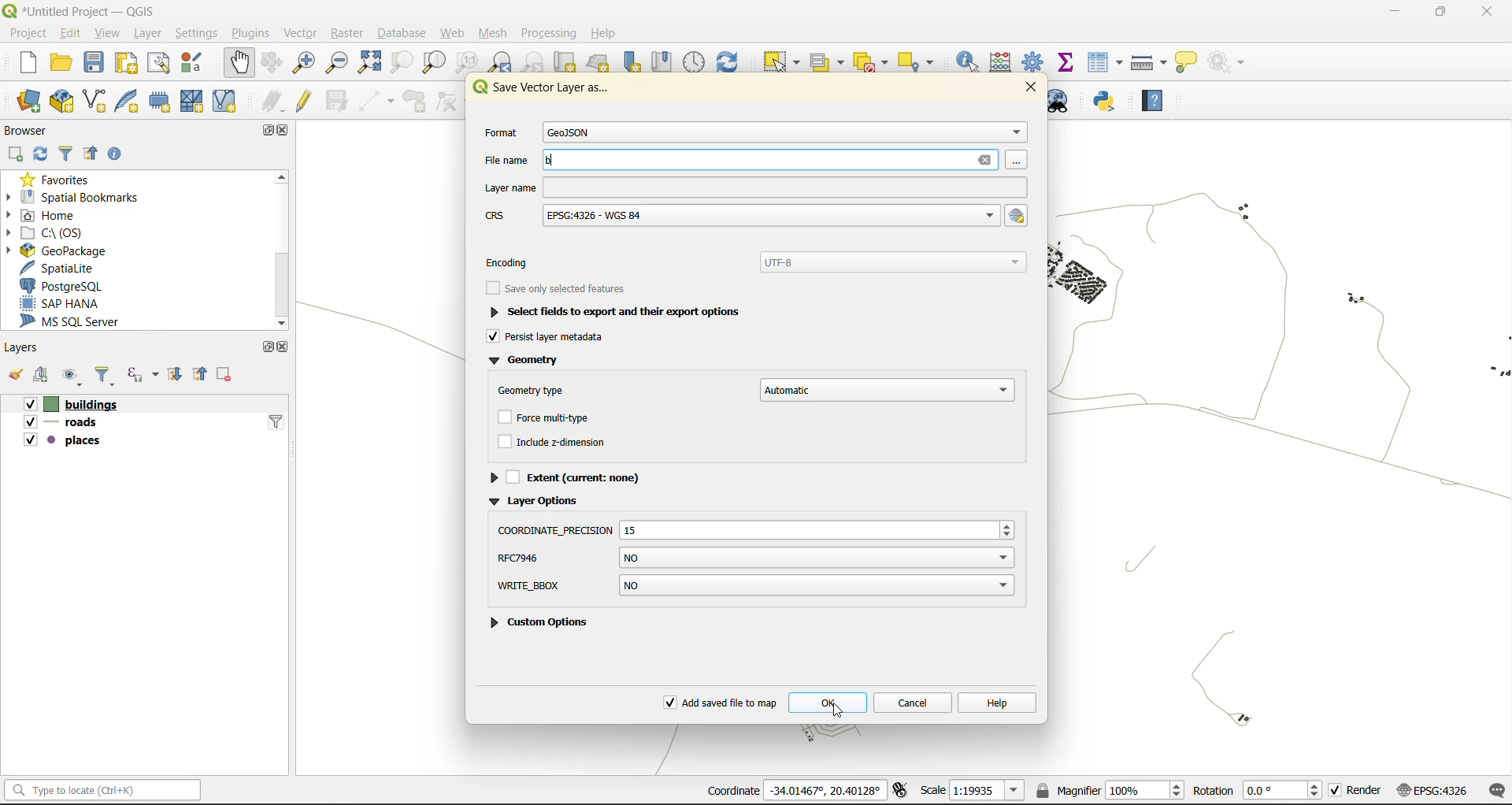 The height and width of the screenshot is (805, 1512). I want to click on spatialite, so click(65, 269).